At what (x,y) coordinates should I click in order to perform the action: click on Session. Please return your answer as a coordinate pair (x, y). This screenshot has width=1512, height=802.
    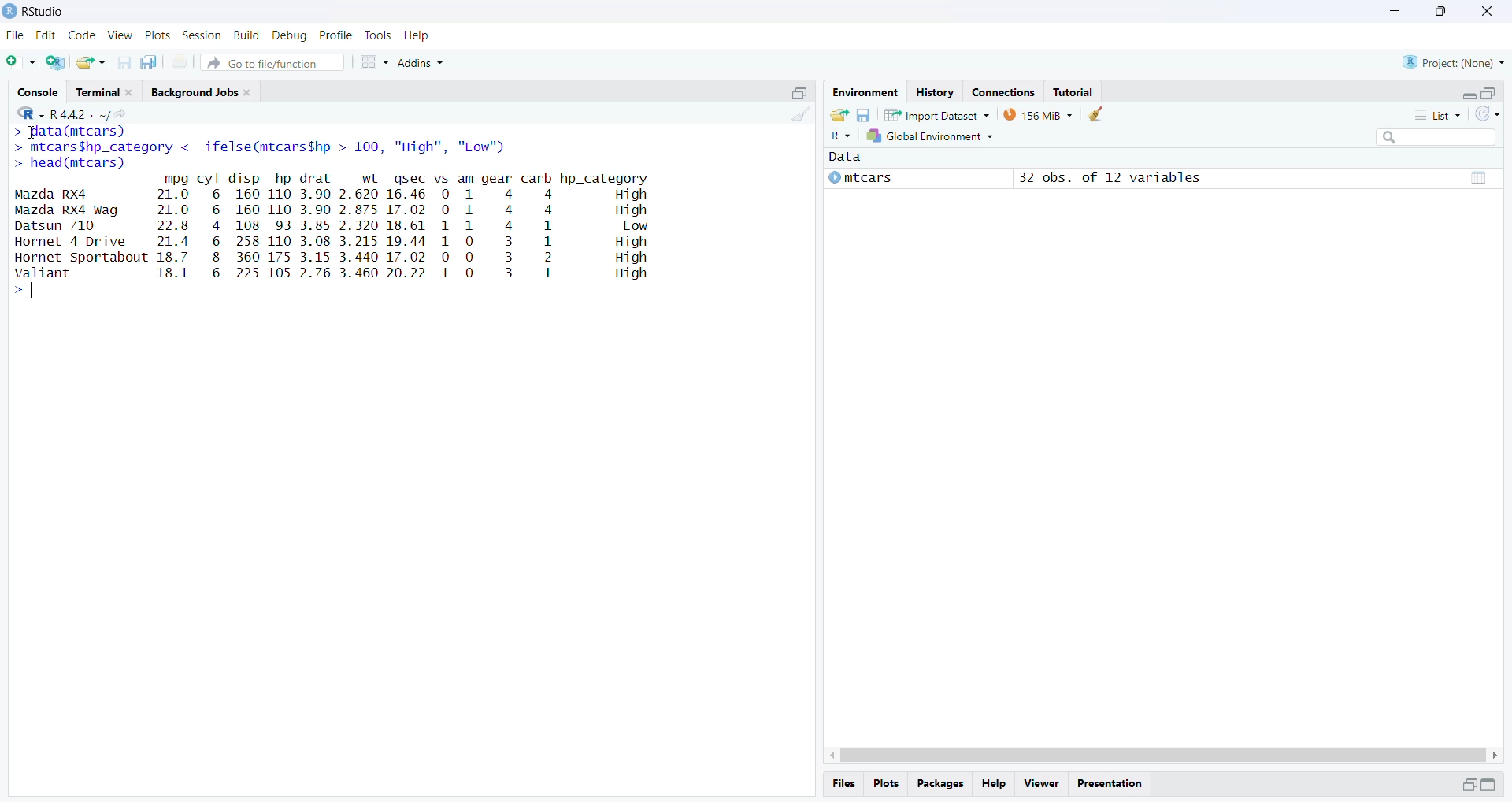
    Looking at the image, I should click on (202, 36).